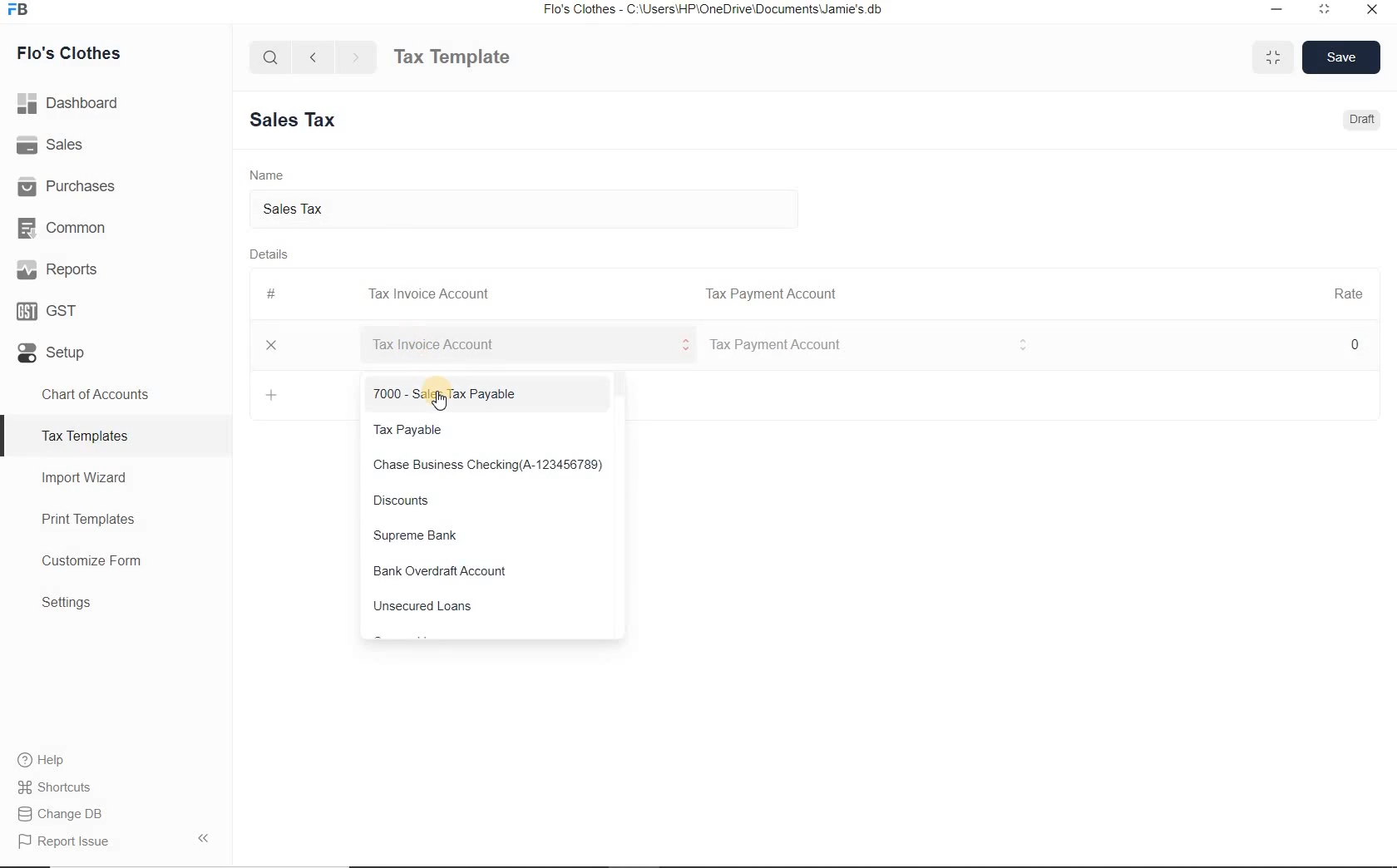 The height and width of the screenshot is (868, 1397). Describe the element at coordinates (273, 395) in the screenshot. I see `Add` at that location.